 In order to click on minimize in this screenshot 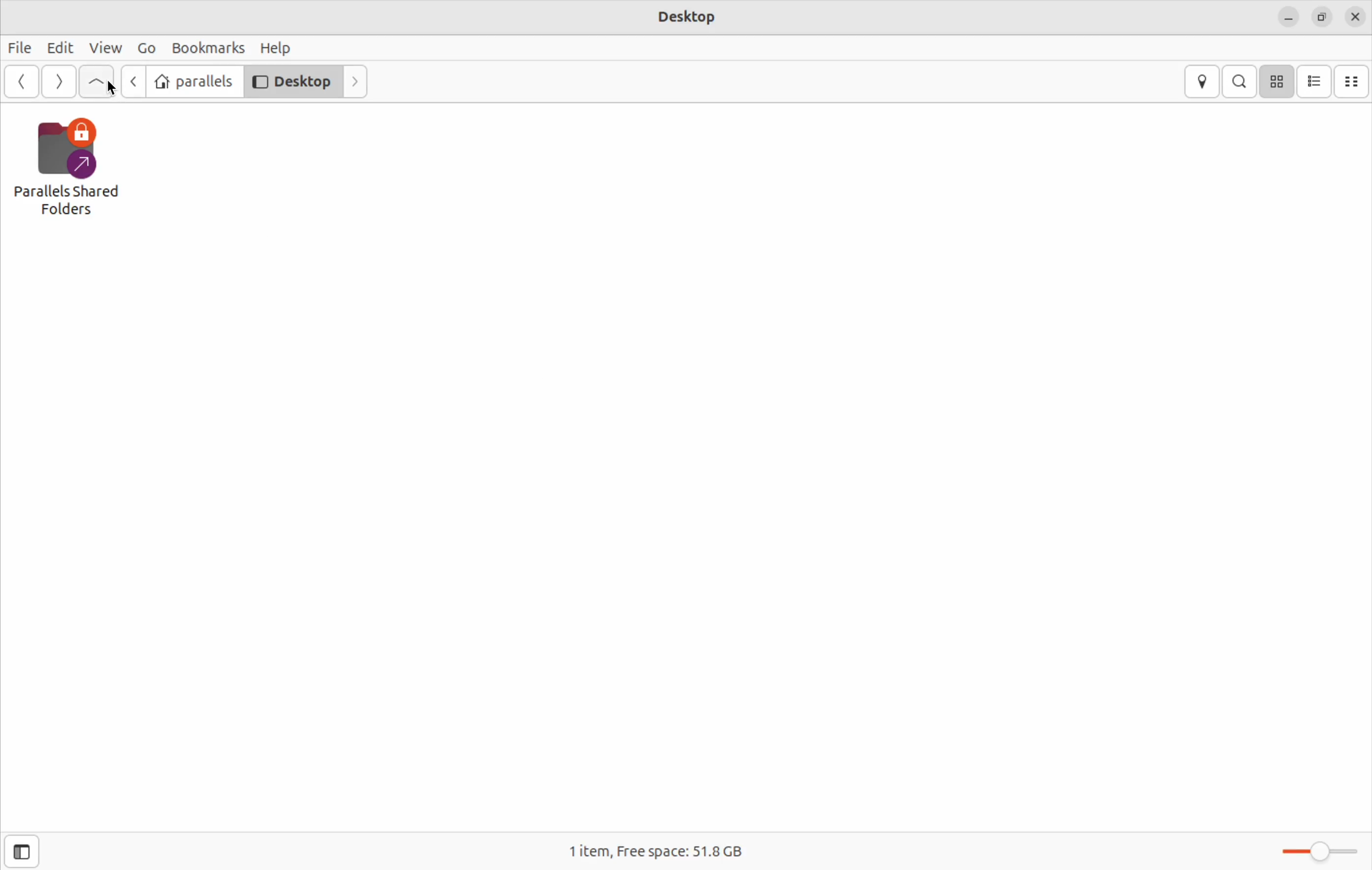, I will do `click(1288, 17)`.